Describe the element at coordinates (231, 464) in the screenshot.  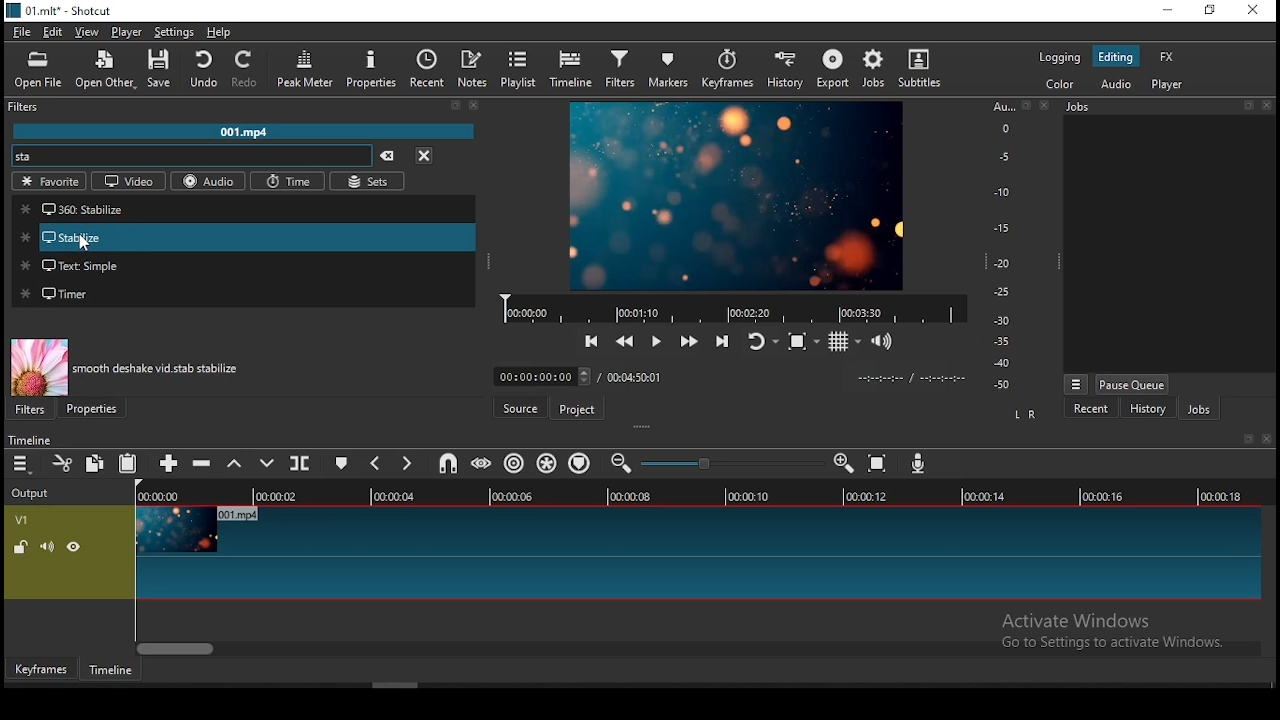
I see `lift` at that location.